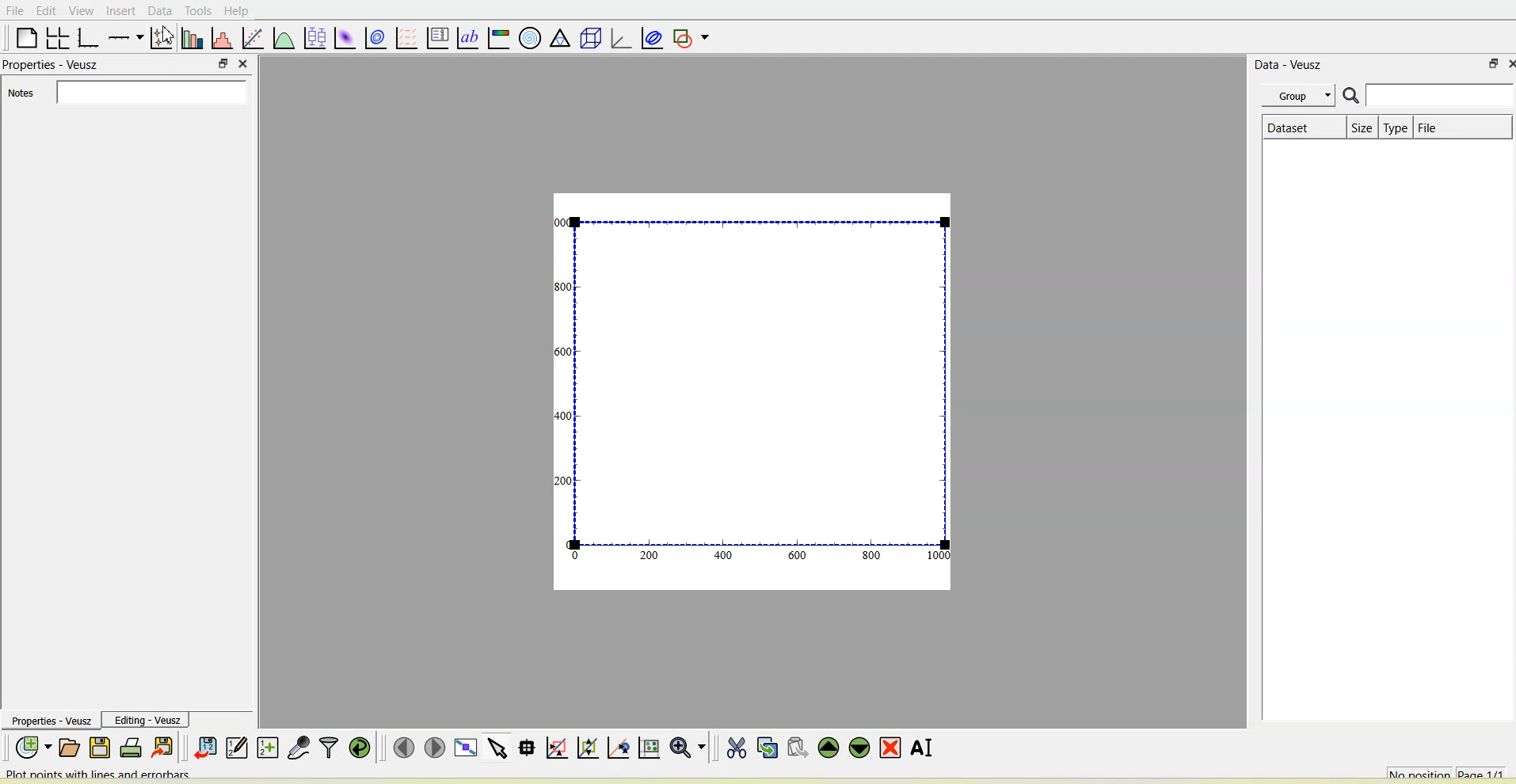 This screenshot has width=1516, height=784. I want to click on Move to the previous page, so click(403, 747).